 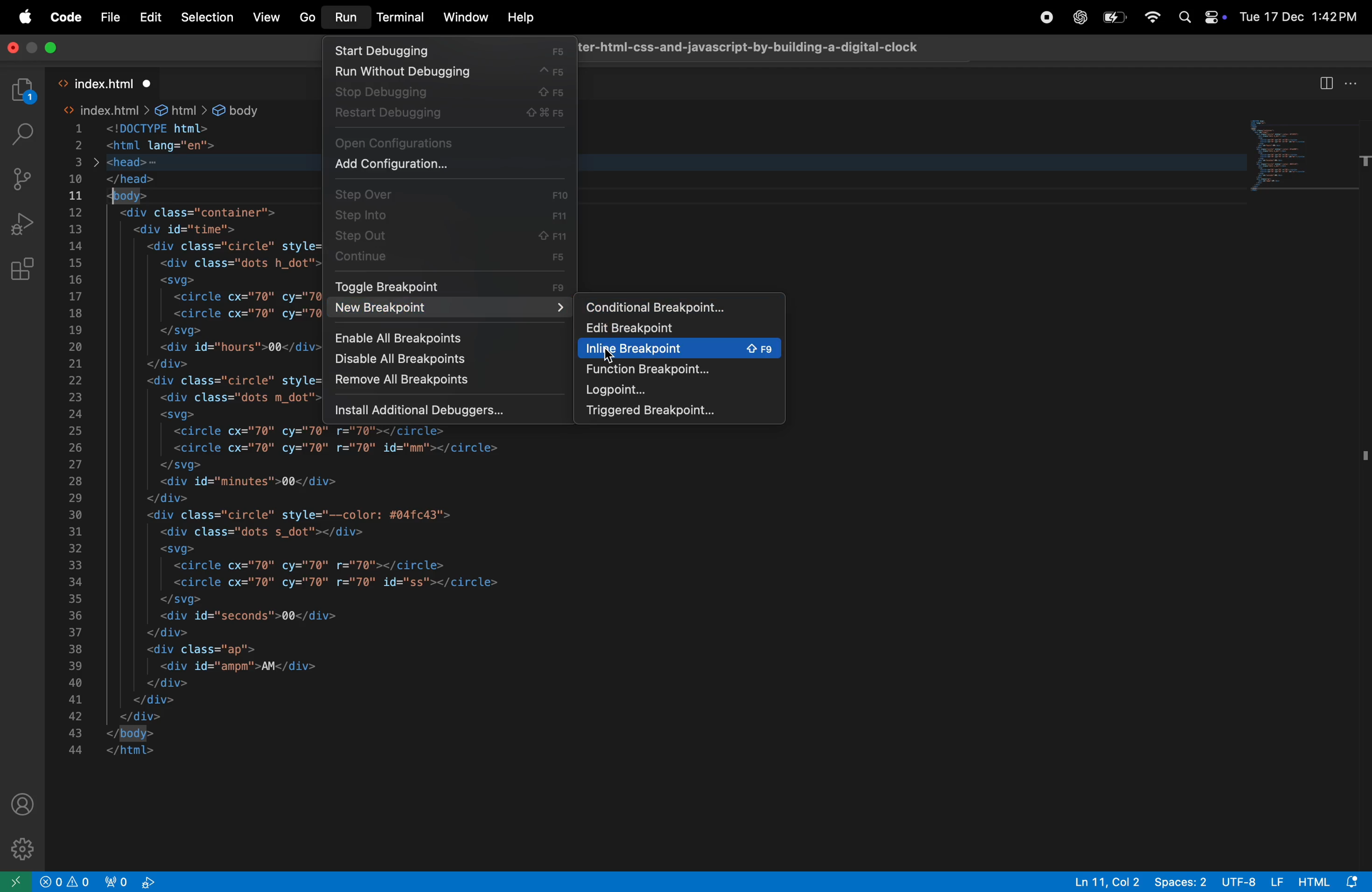 I want to click on step out, so click(x=446, y=236).